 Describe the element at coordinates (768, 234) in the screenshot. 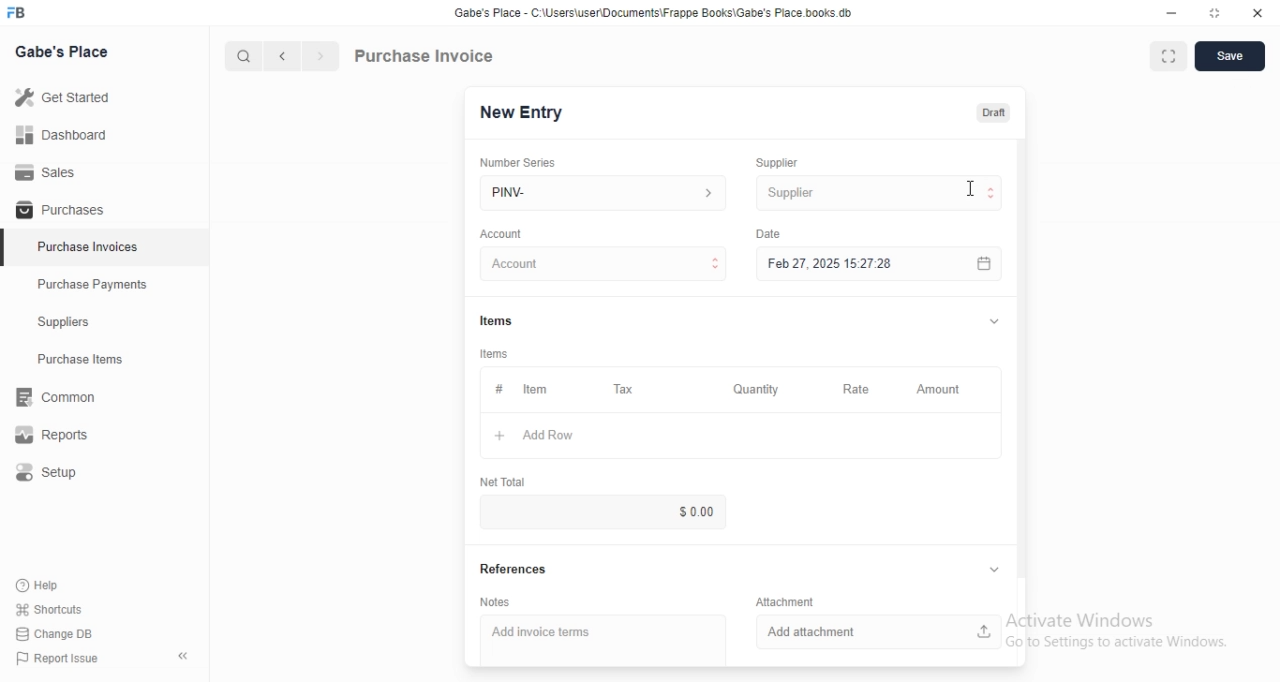

I see `Date` at that location.